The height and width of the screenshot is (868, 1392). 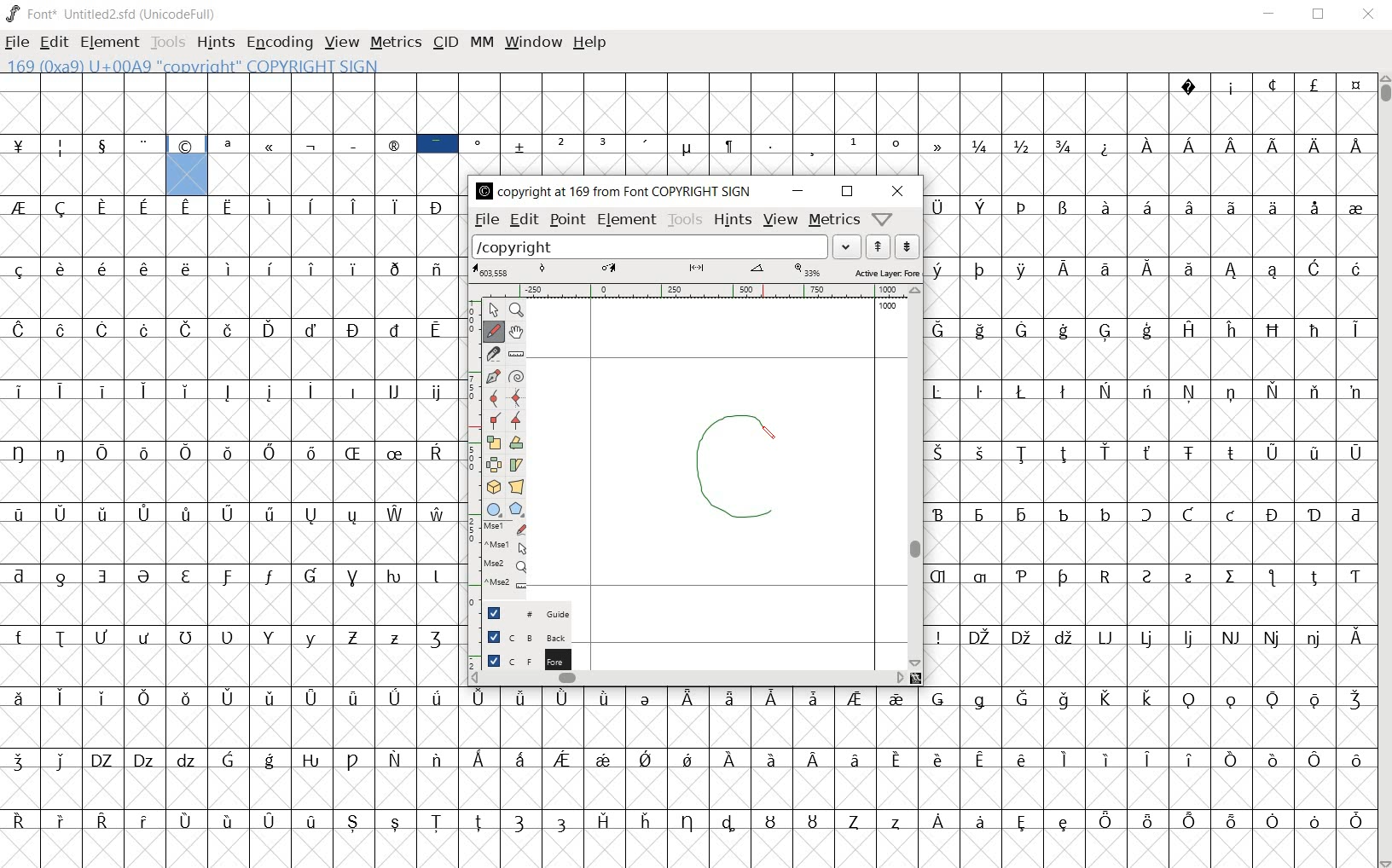 I want to click on scrollbar, so click(x=687, y=677).